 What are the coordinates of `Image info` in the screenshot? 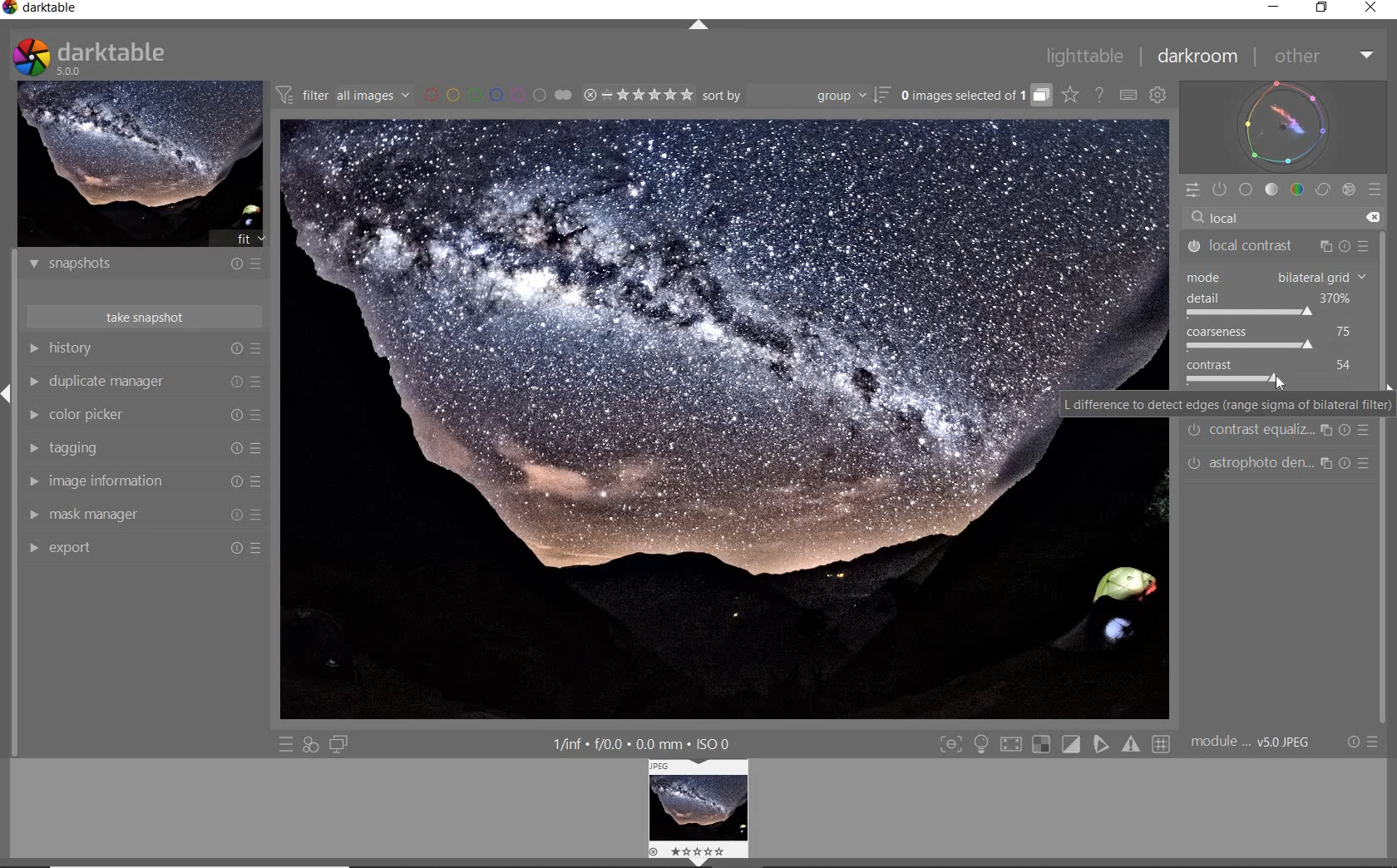 It's located at (1252, 741).